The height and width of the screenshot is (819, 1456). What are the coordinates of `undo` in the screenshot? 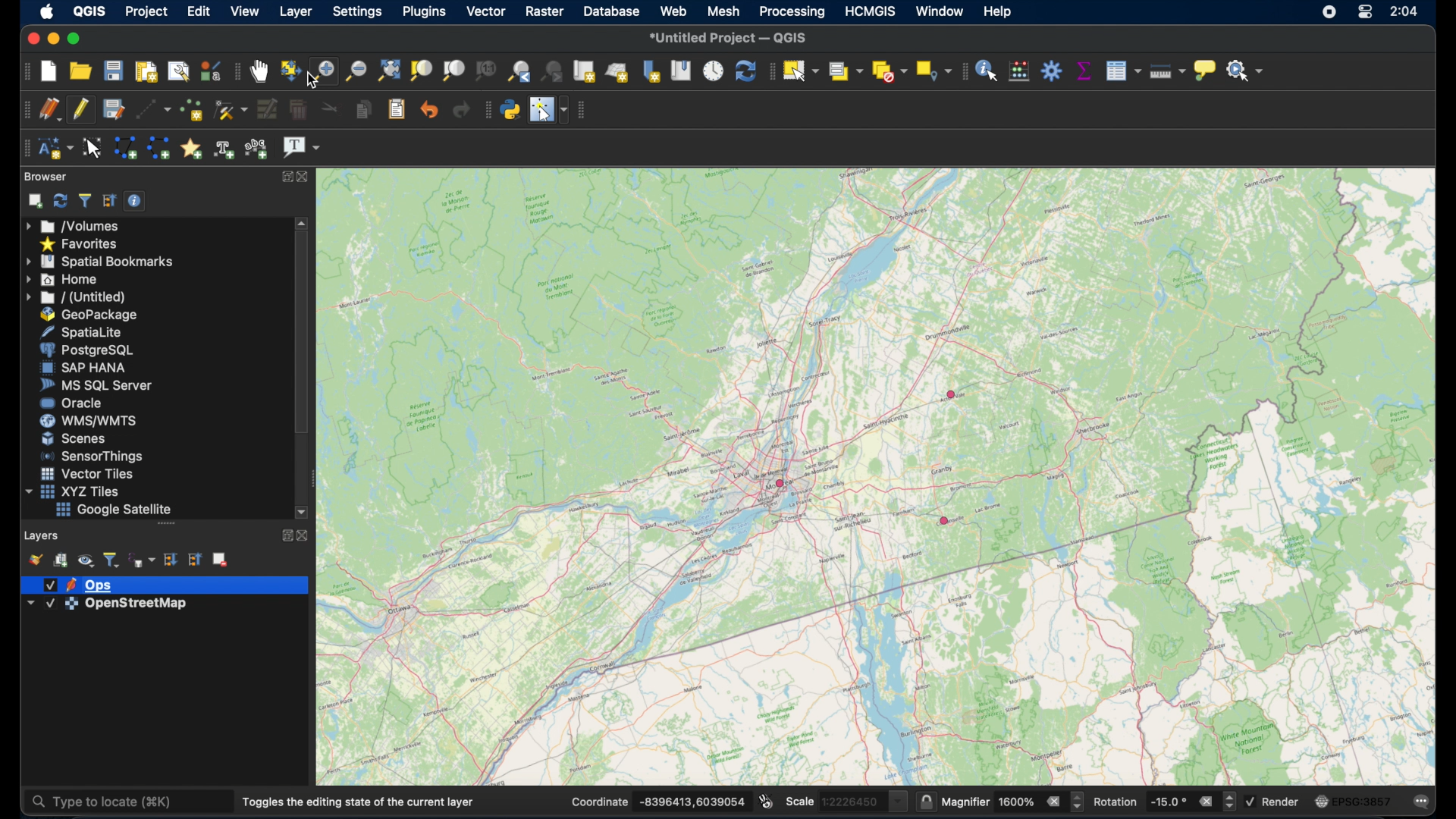 It's located at (427, 110).